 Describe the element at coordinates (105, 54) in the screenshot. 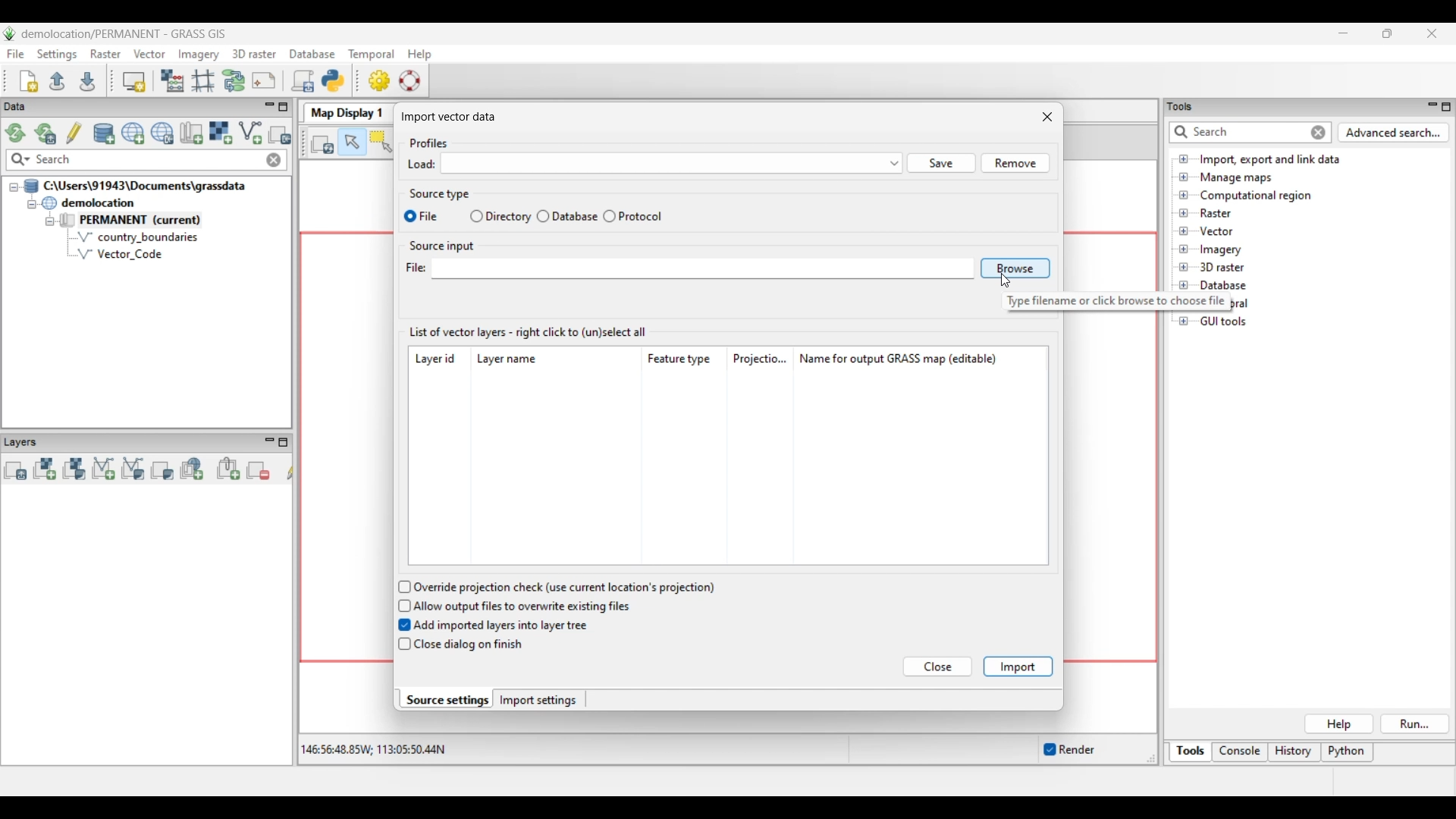

I see `Raster menu` at that location.